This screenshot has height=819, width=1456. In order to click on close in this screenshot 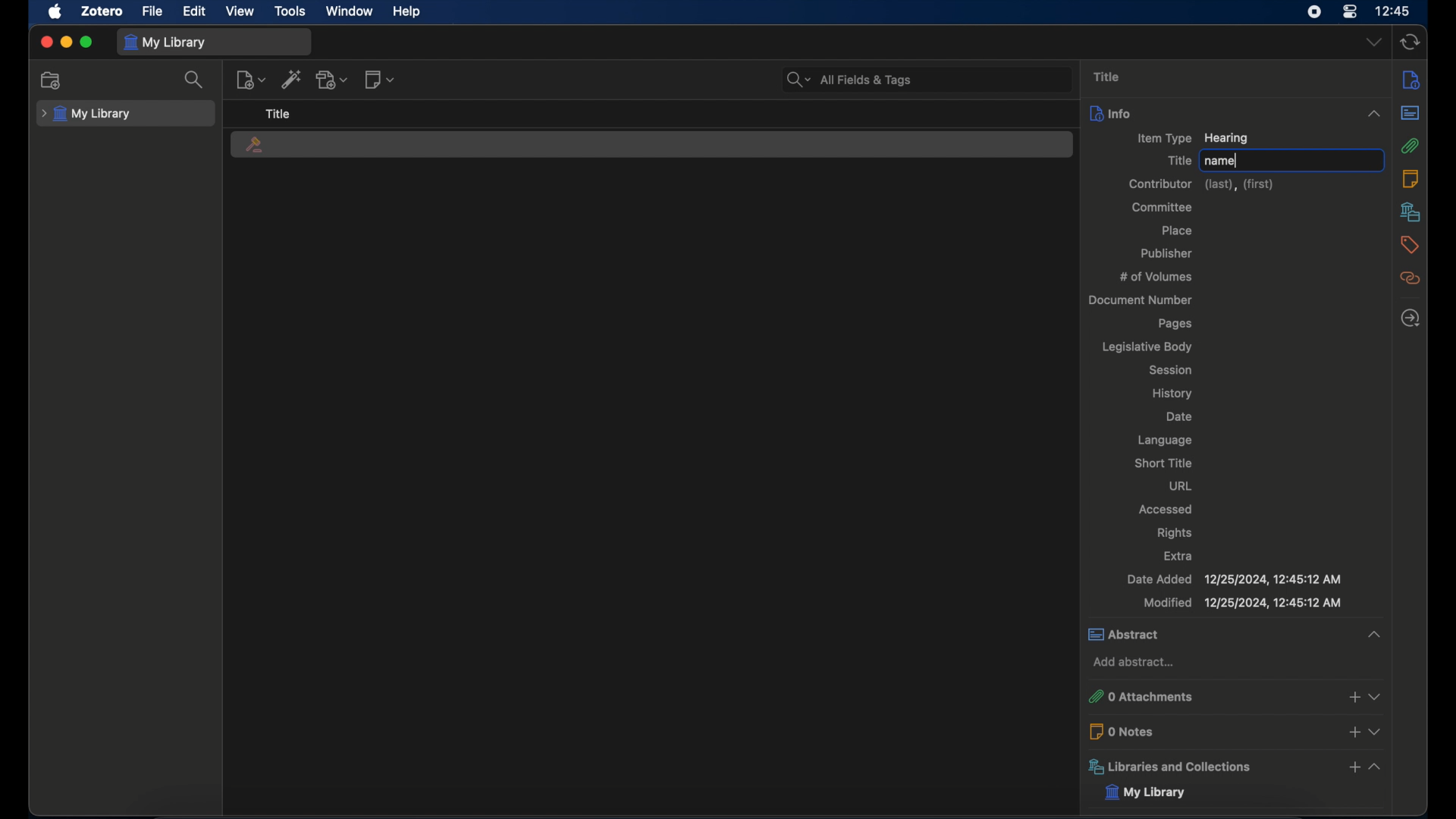, I will do `click(45, 41)`.